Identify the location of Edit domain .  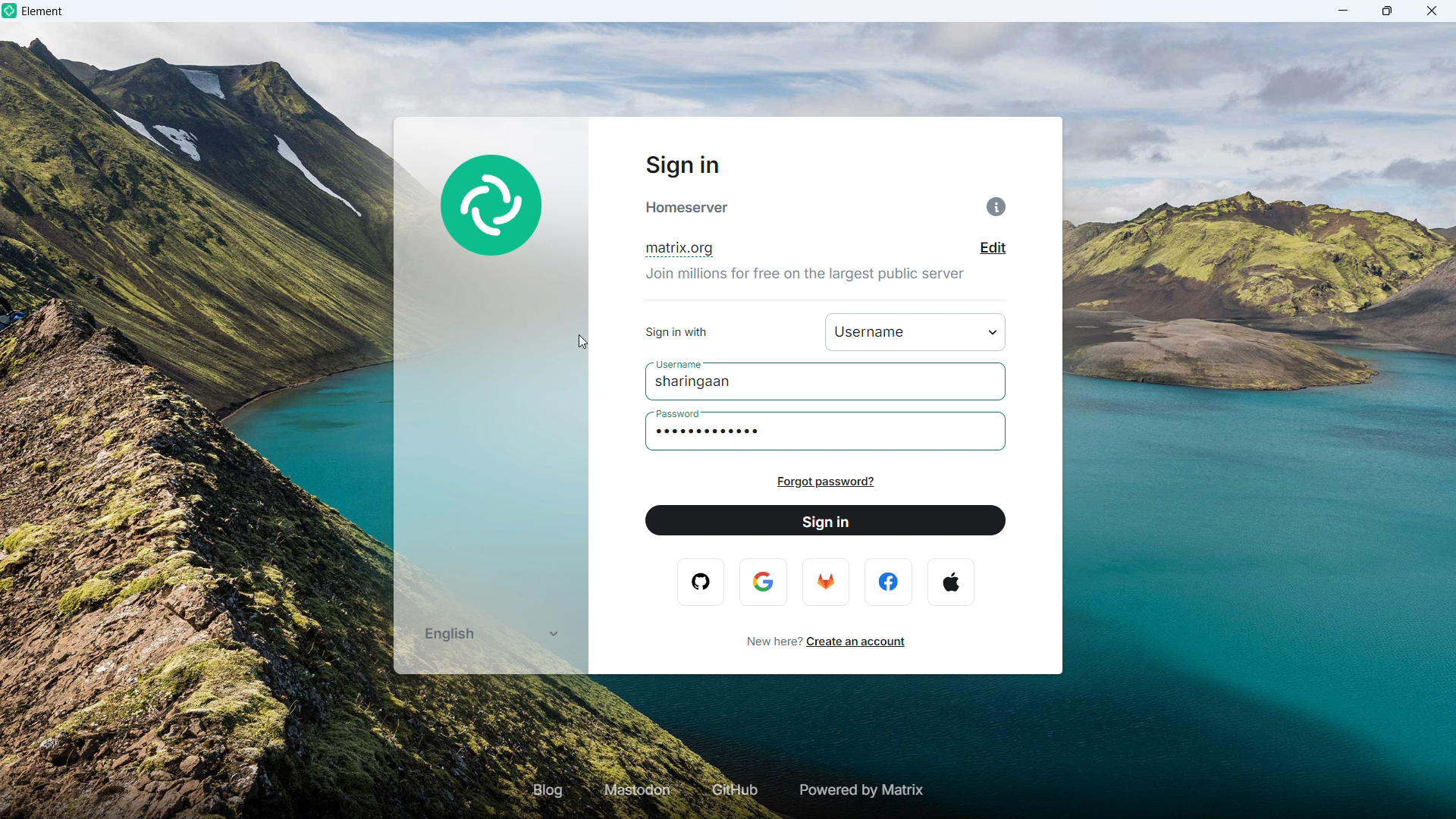
(993, 248).